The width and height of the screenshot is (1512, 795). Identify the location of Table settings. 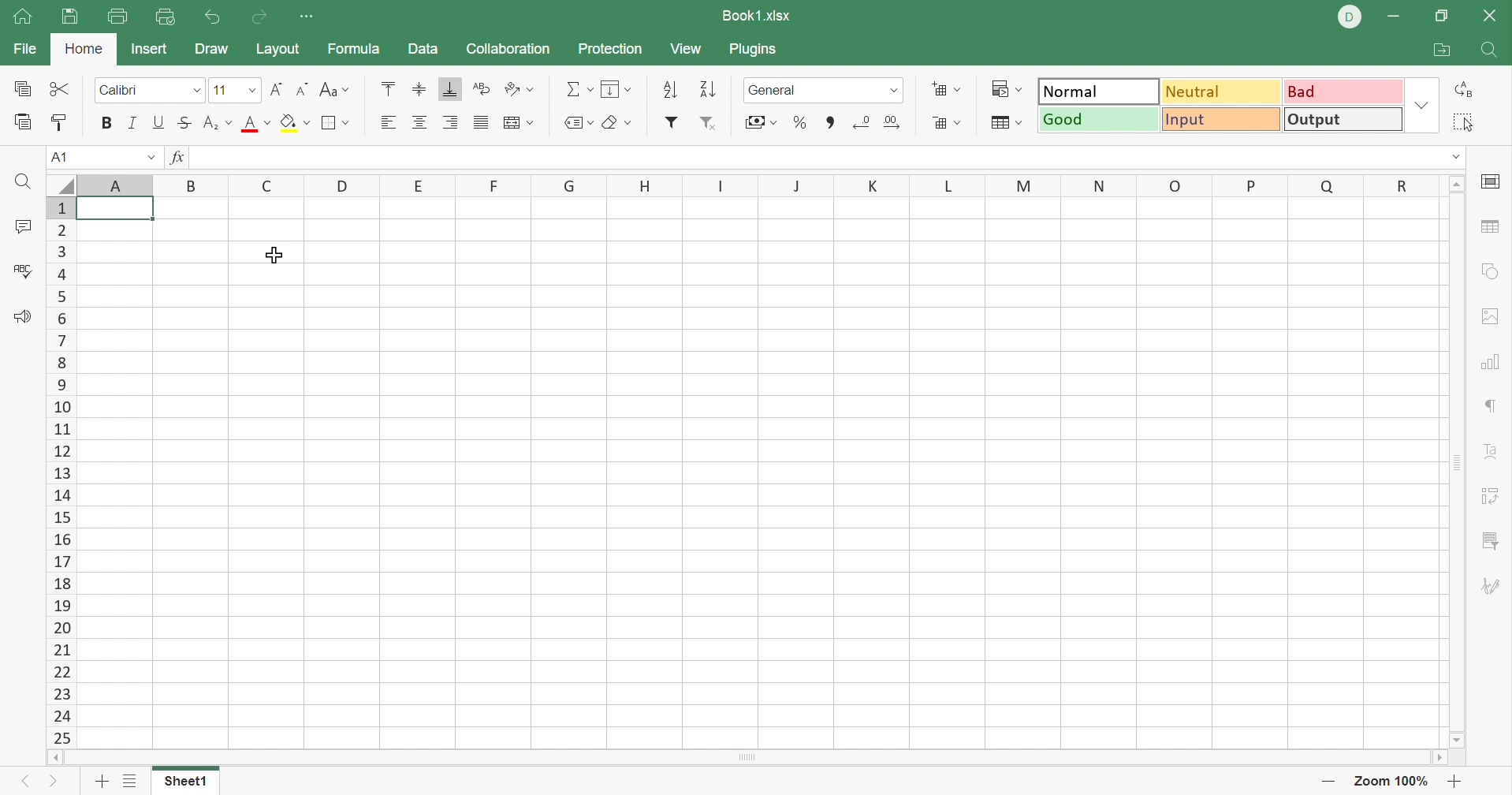
(1494, 230).